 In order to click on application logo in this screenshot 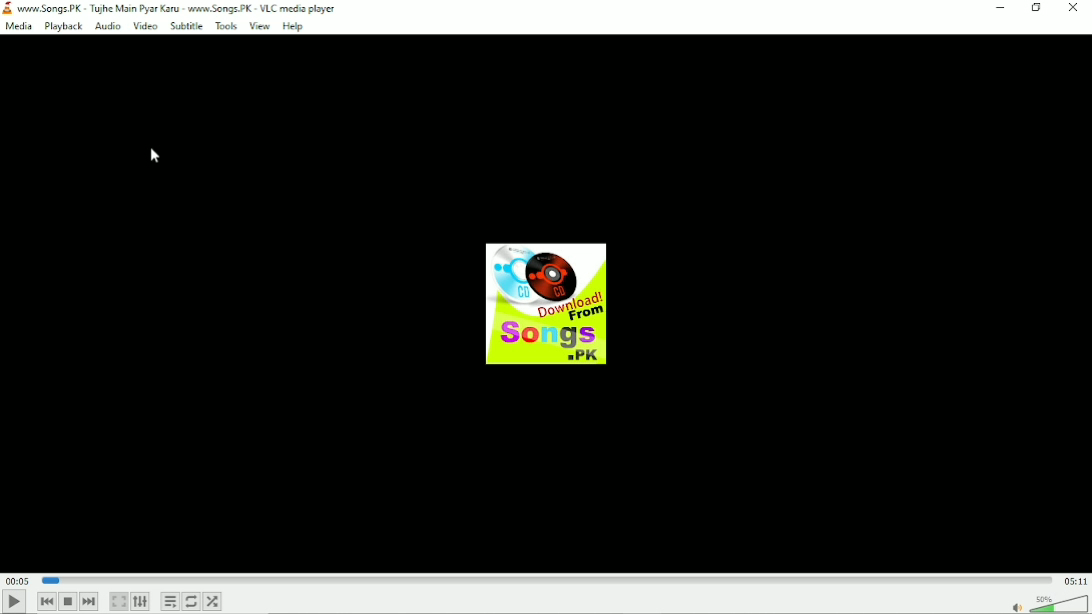, I will do `click(8, 9)`.